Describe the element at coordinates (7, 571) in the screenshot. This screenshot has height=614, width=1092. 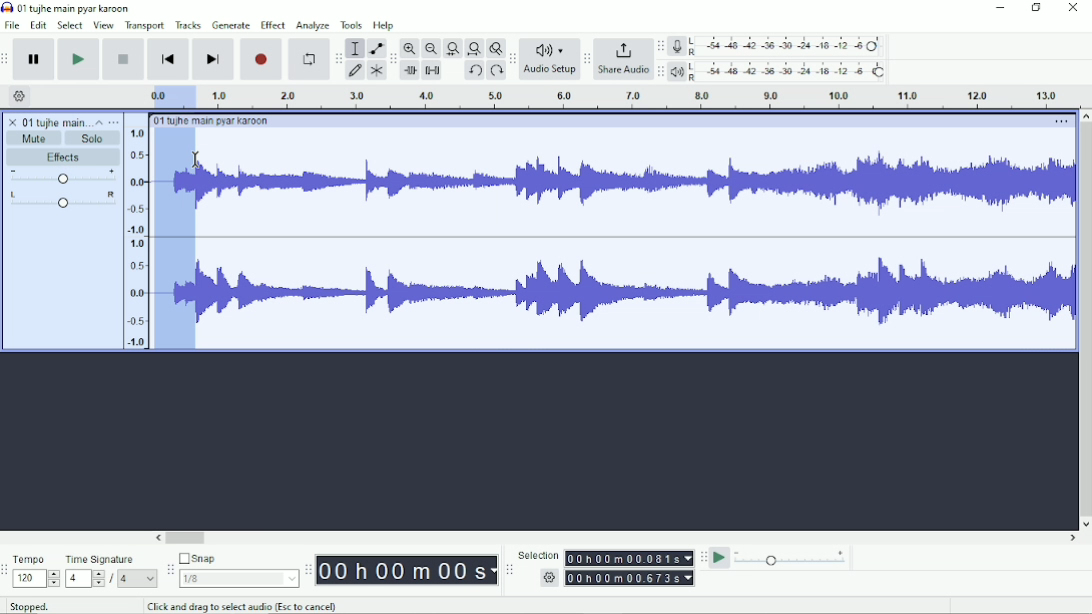
I see `Audacity time signature toolbar` at that location.